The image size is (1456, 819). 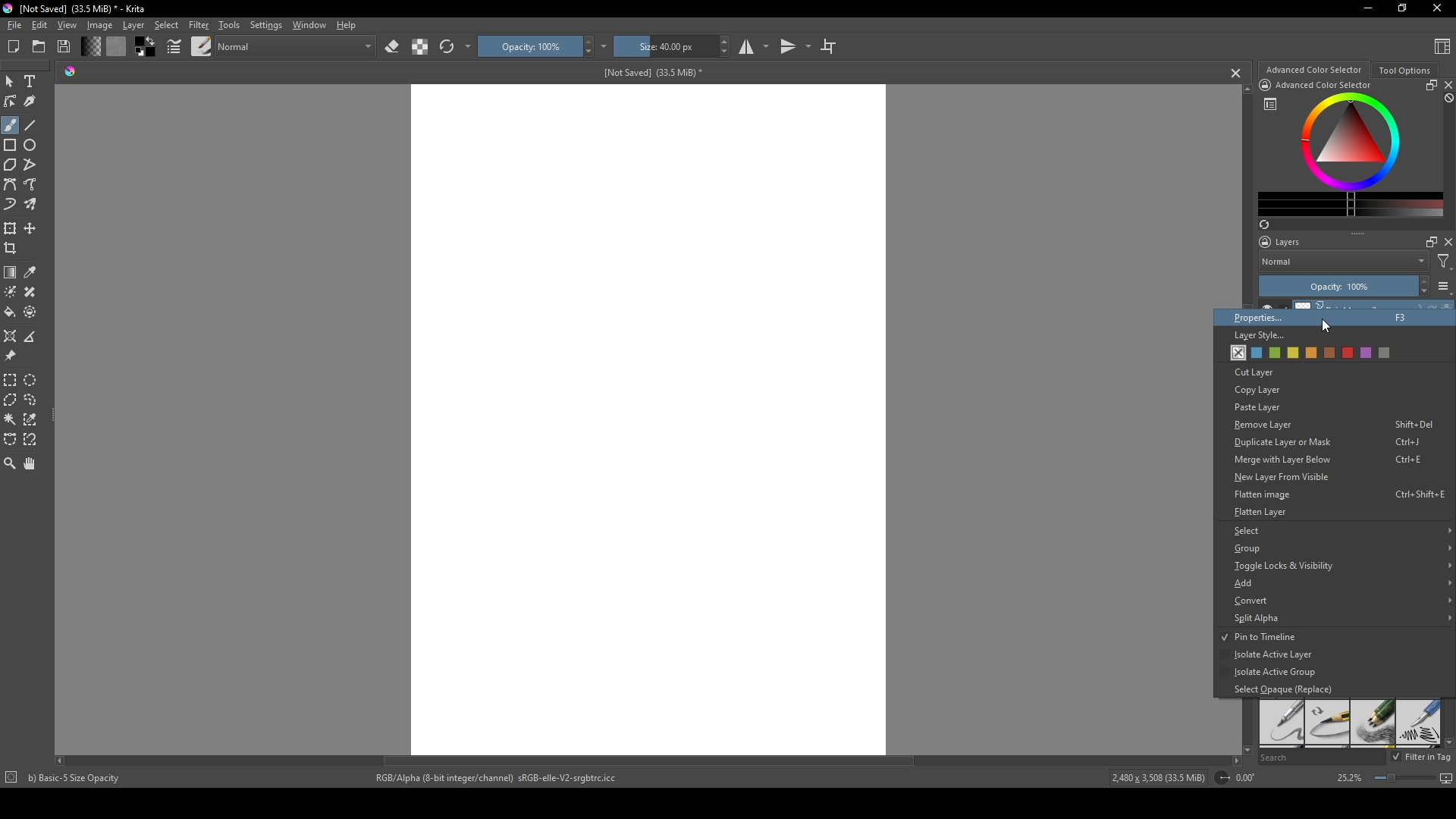 What do you see at coordinates (11, 379) in the screenshot?
I see `rectangular` at bounding box center [11, 379].